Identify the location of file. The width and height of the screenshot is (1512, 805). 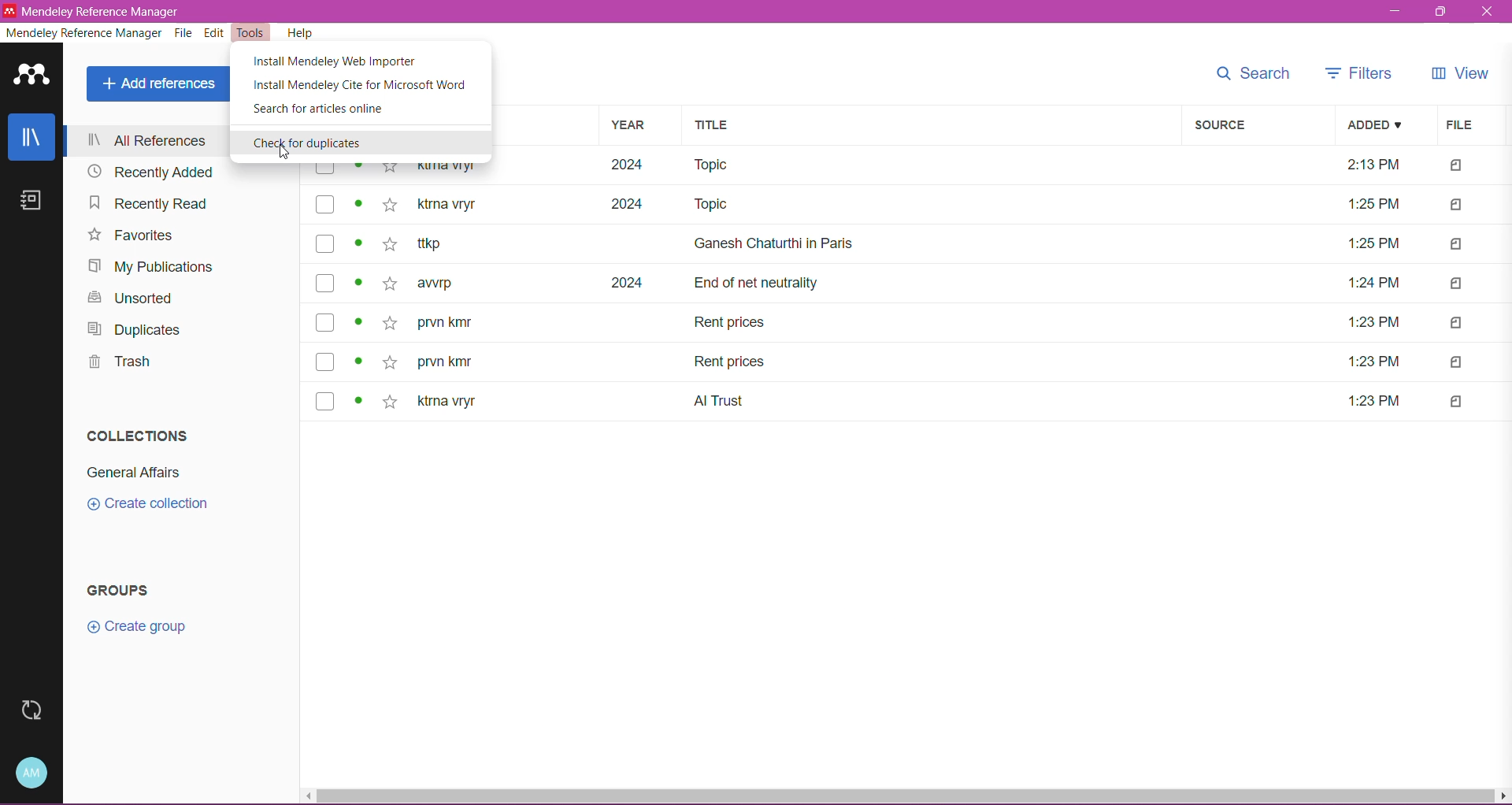
(1458, 402).